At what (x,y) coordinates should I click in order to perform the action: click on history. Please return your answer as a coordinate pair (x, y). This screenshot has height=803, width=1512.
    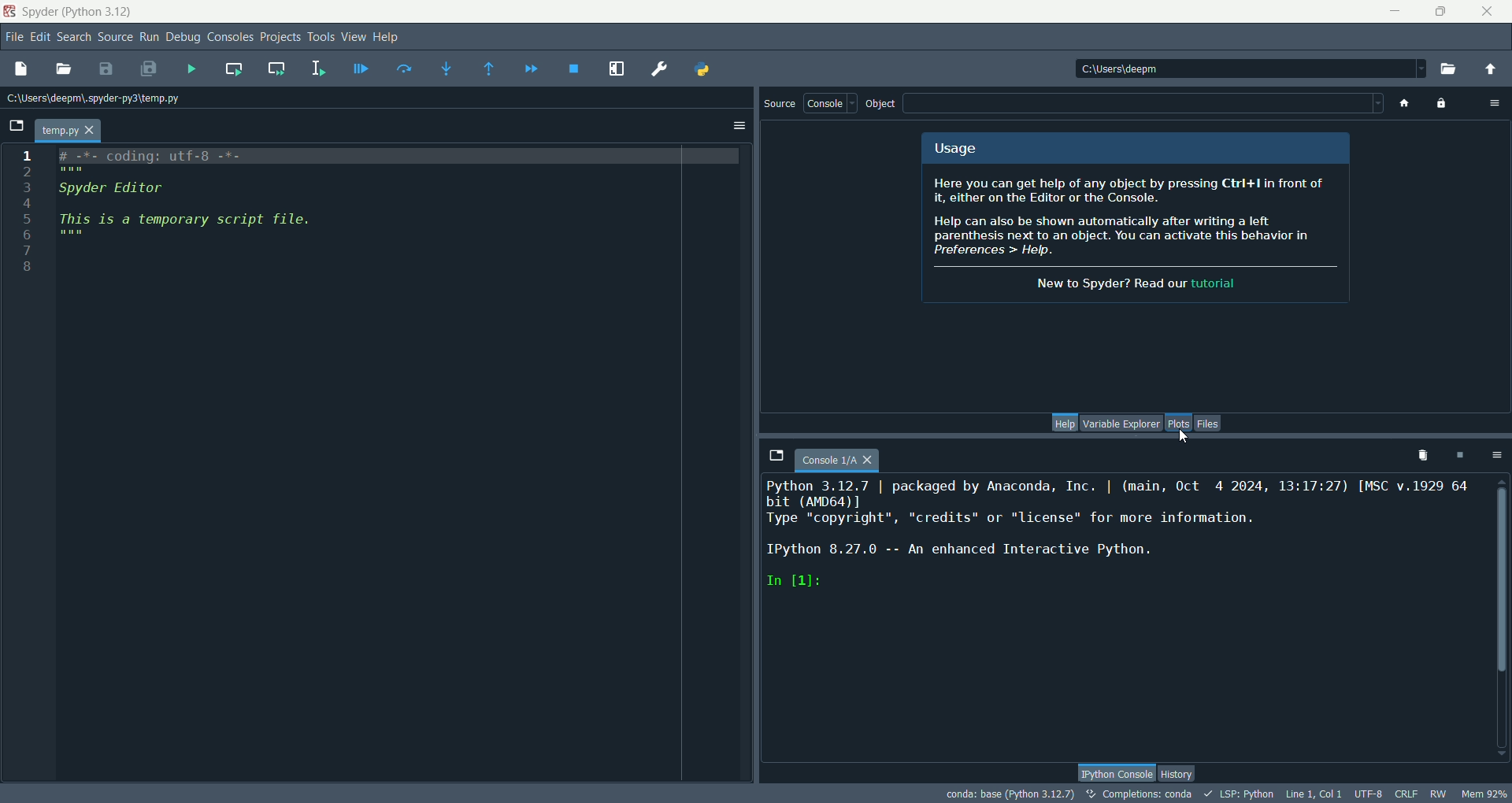
    Looking at the image, I should click on (1180, 775).